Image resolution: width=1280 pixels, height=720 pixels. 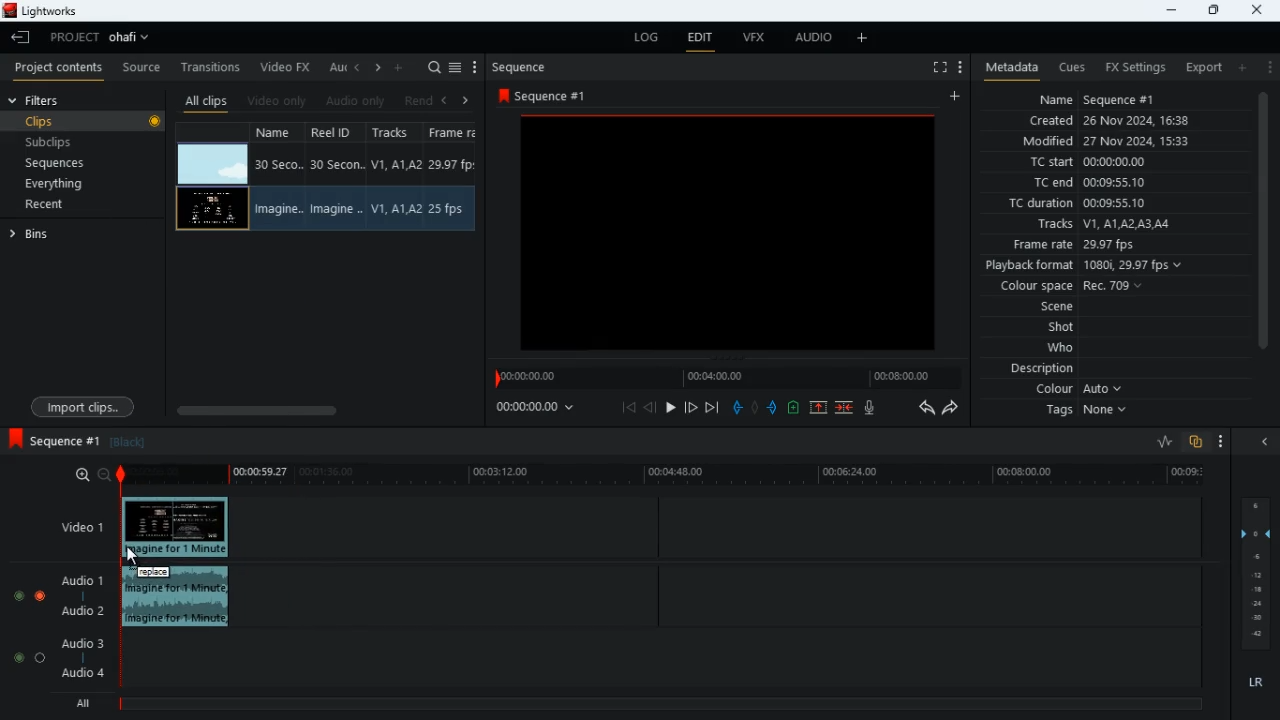 What do you see at coordinates (932, 68) in the screenshot?
I see `full screen` at bounding box center [932, 68].